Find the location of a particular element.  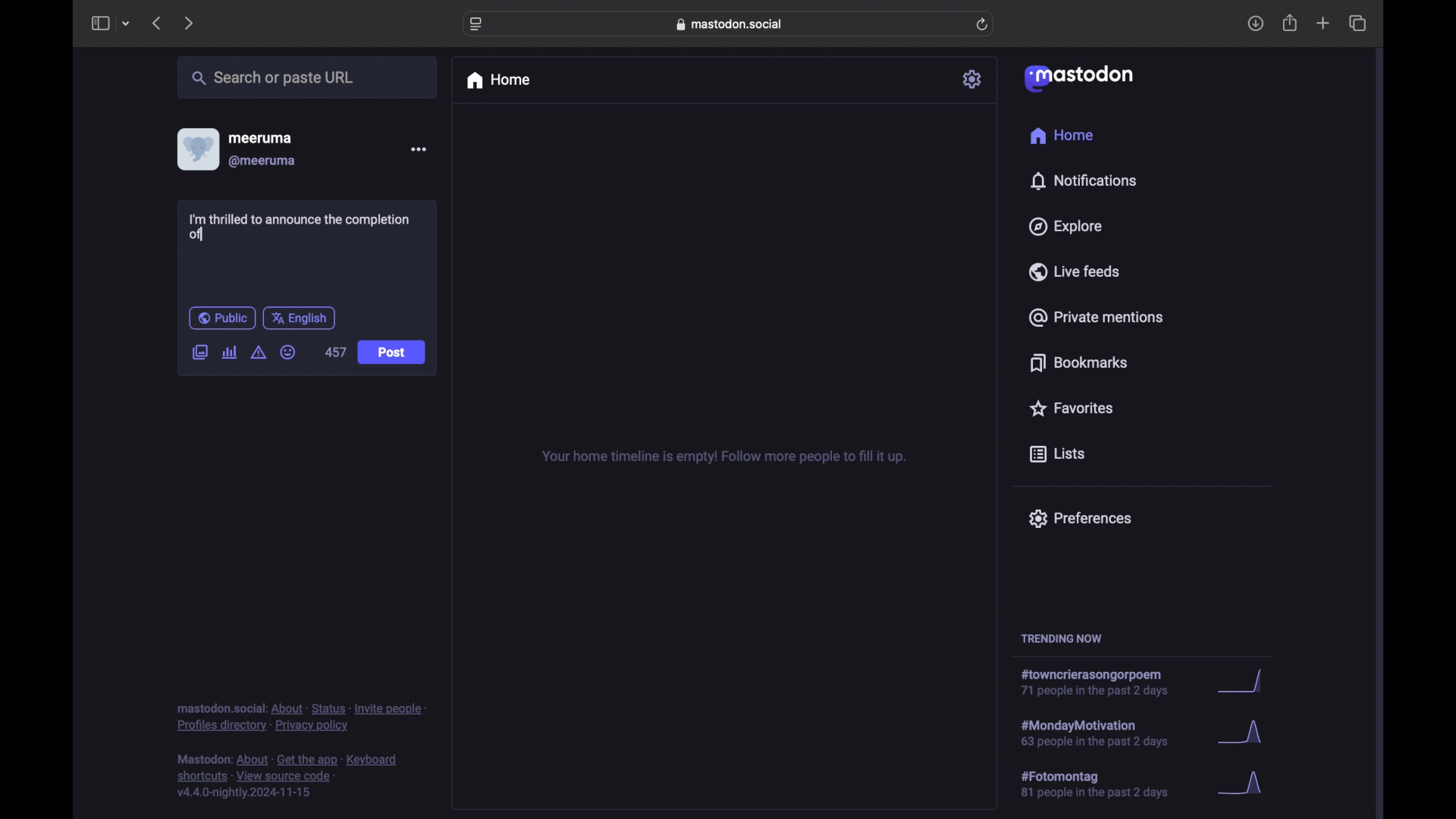

graph is located at coordinates (1245, 784).